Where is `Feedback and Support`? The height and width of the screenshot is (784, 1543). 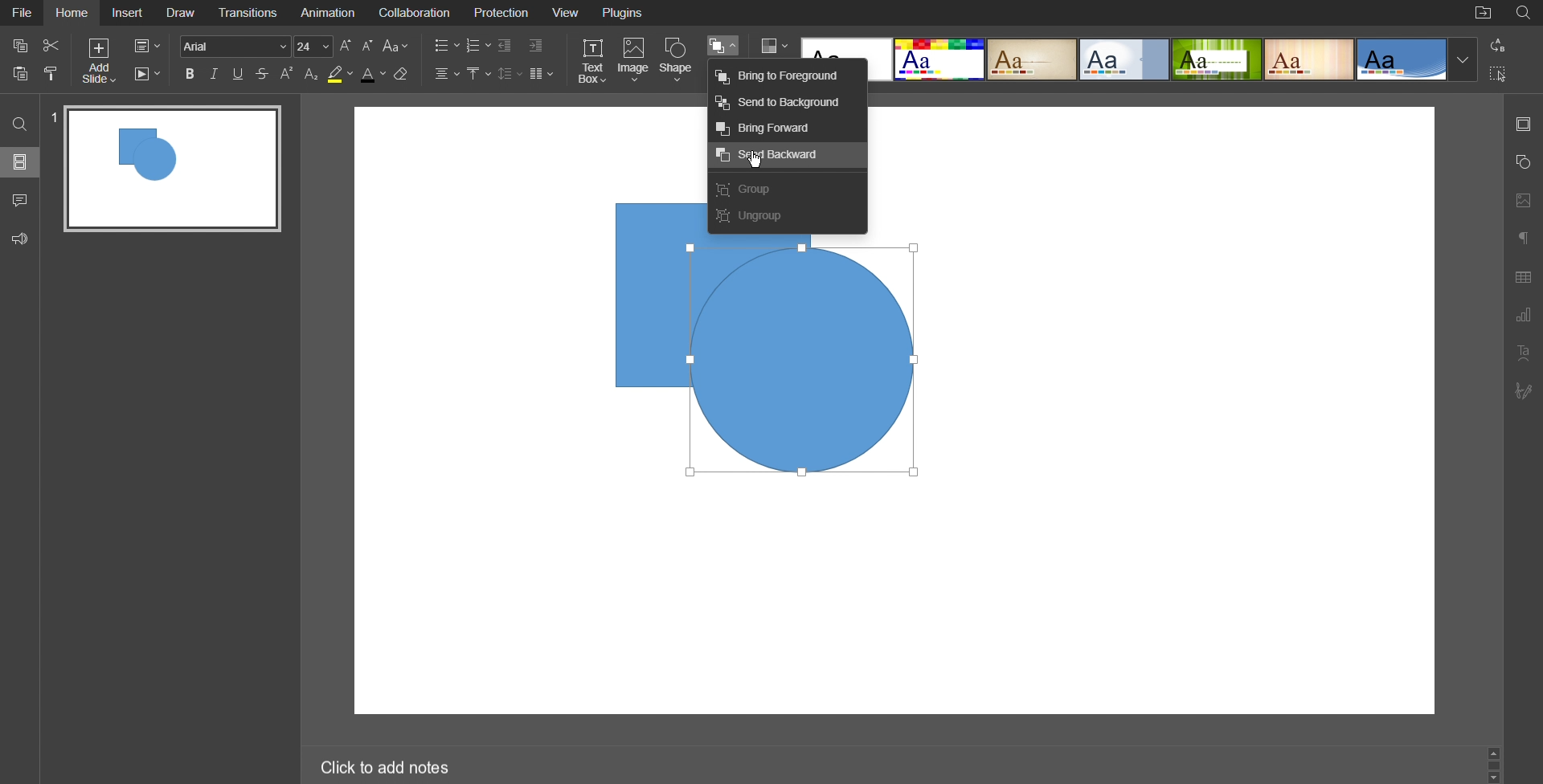 Feedback and Support is located at coordinates (19, 238).